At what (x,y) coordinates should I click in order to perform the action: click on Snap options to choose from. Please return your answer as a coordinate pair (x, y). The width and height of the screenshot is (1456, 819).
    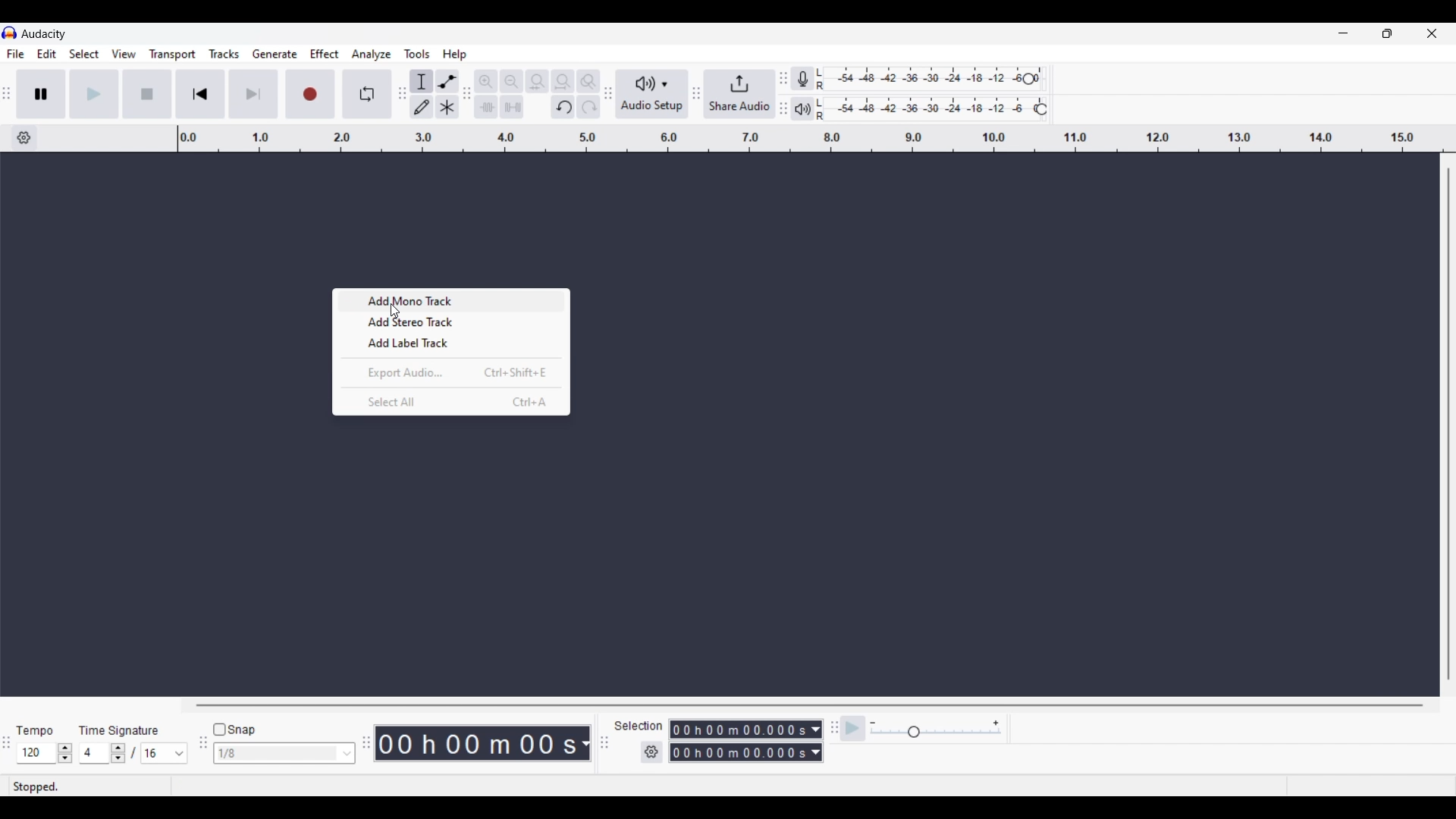
    Looking at the image, I should click on (348, 754).